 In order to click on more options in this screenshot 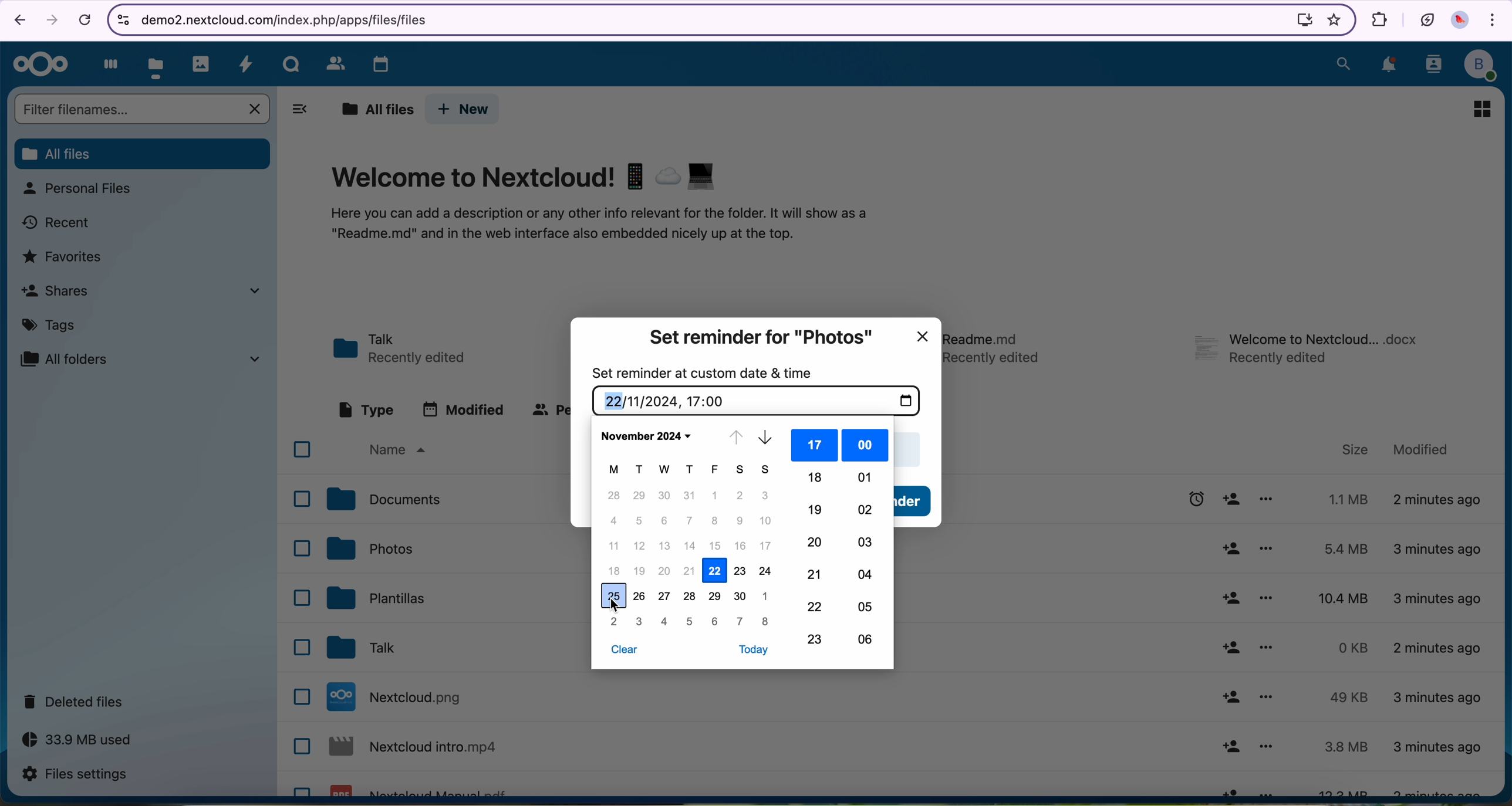, I will do `click(1266, 749)`.